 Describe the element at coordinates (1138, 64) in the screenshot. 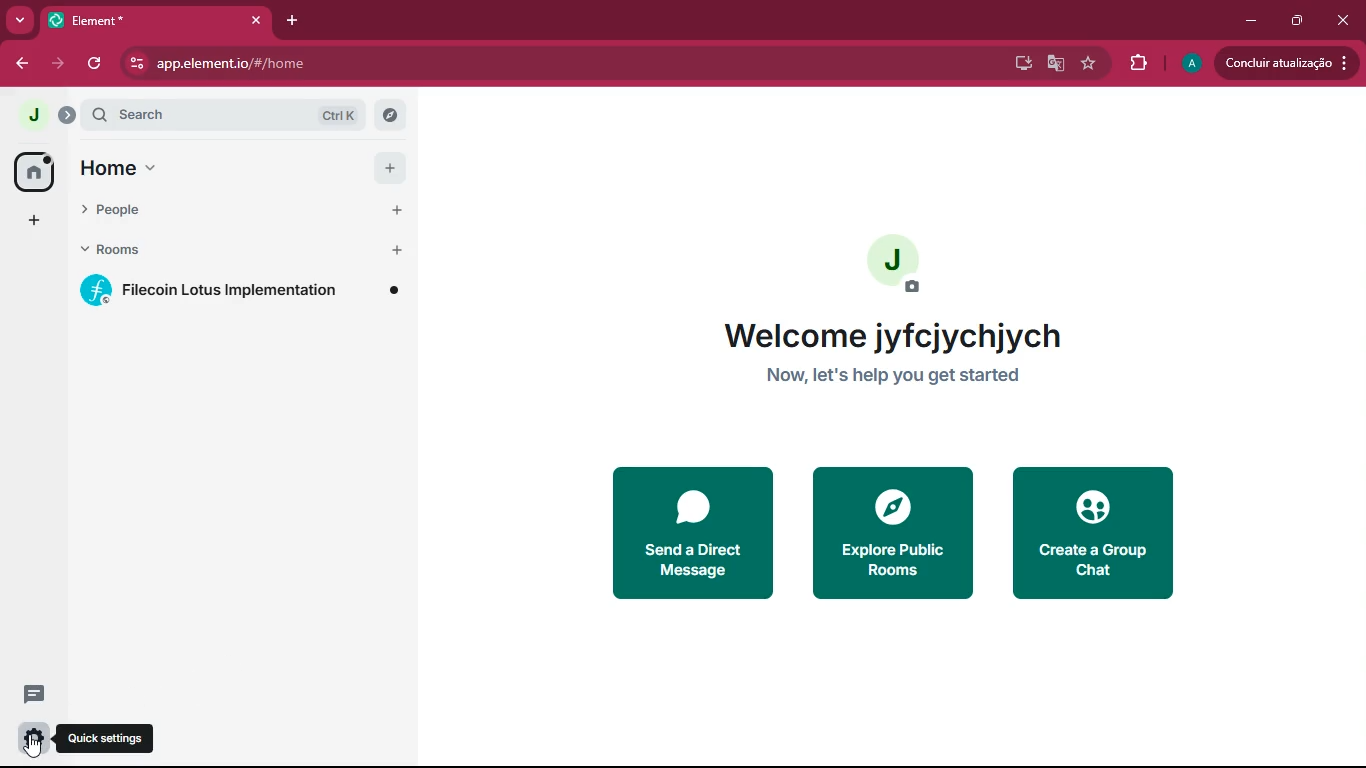

I see `extensions` at that location.